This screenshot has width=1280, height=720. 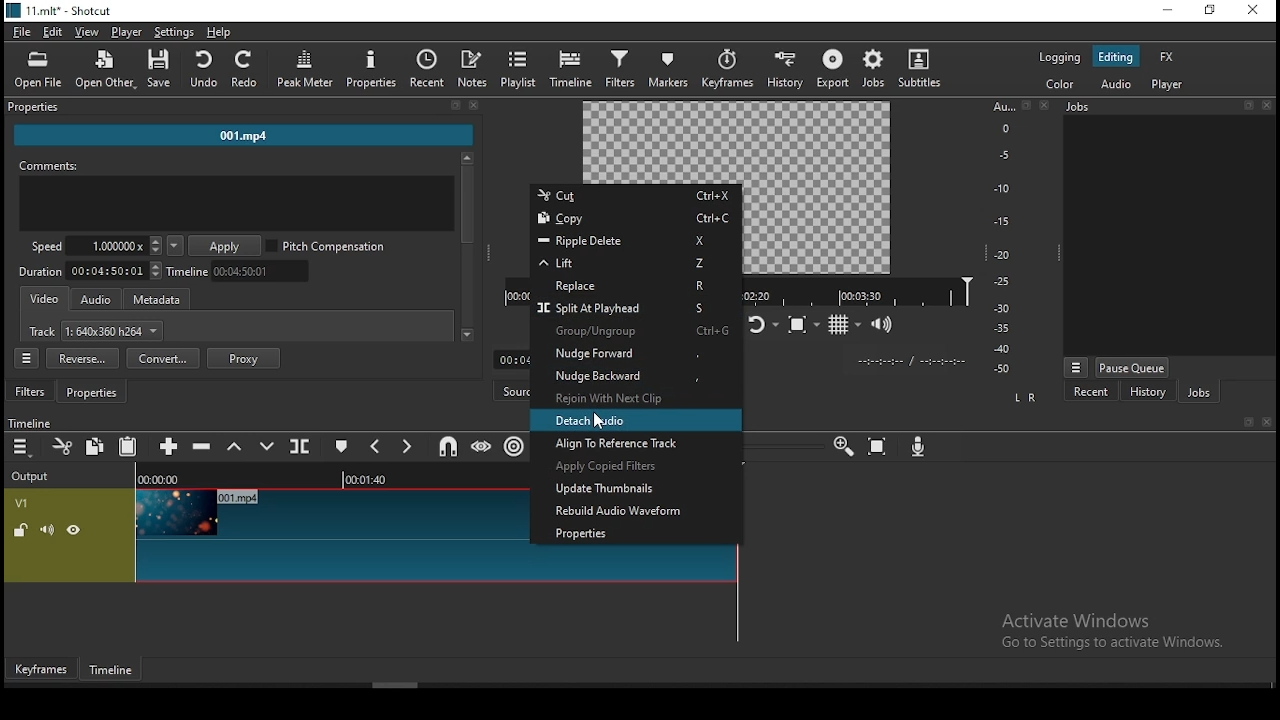 I want to click on record audio, so click(x=919, y=448).